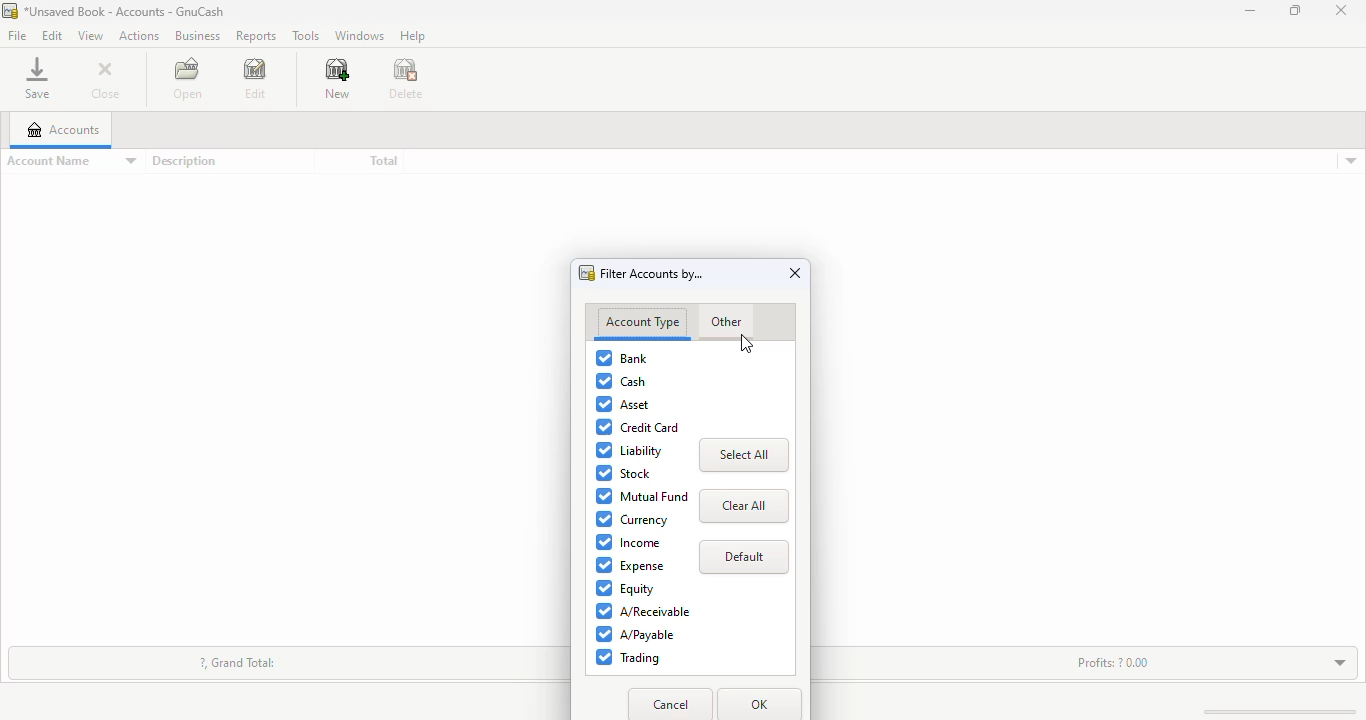 This screenshot has width=1366, height=720. Describe the element at coordinates (254, 80) in the screenshot. I see `edit` at that location.